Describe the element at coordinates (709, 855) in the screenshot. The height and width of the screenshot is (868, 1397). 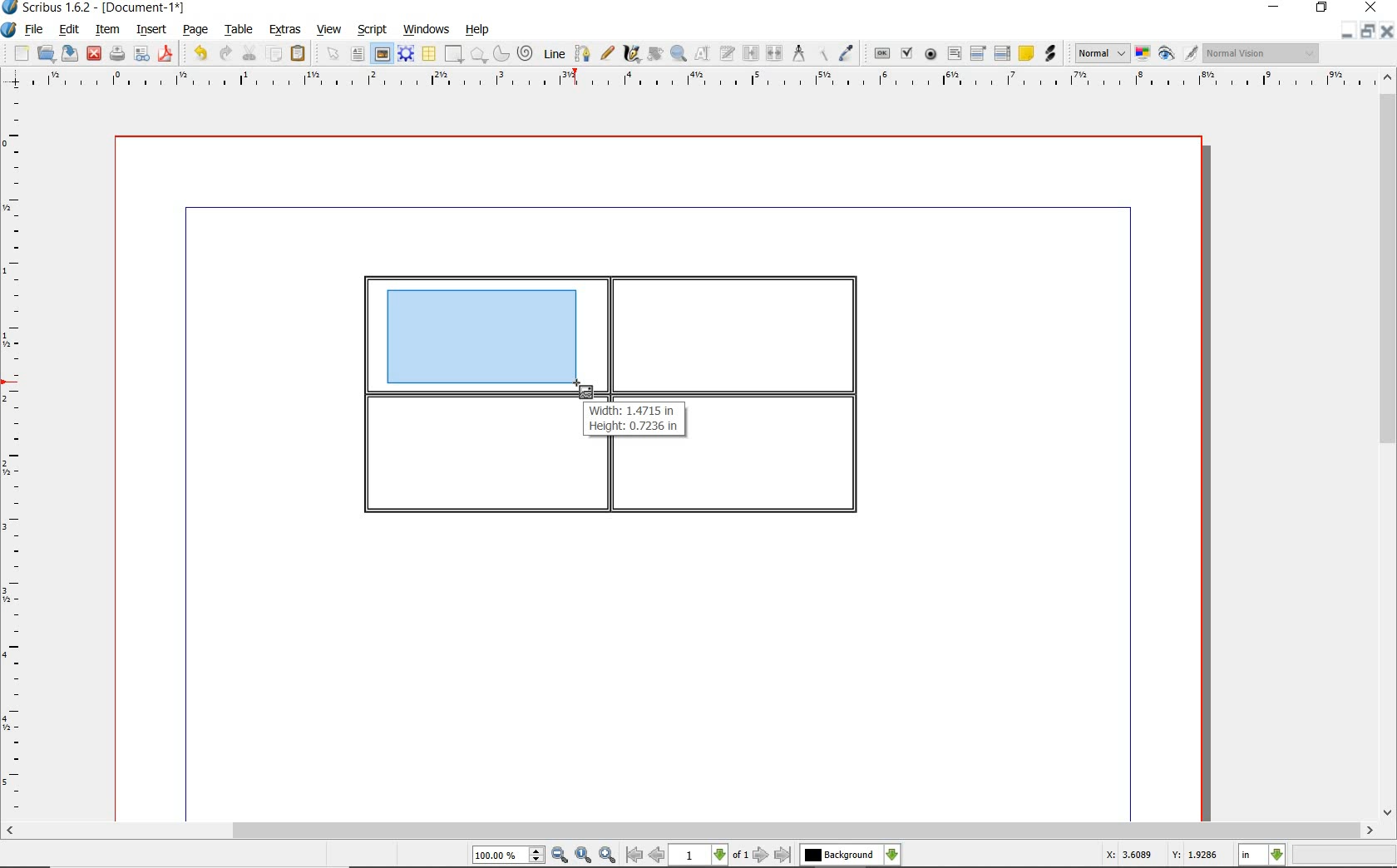
I see `select current page level` at that location.